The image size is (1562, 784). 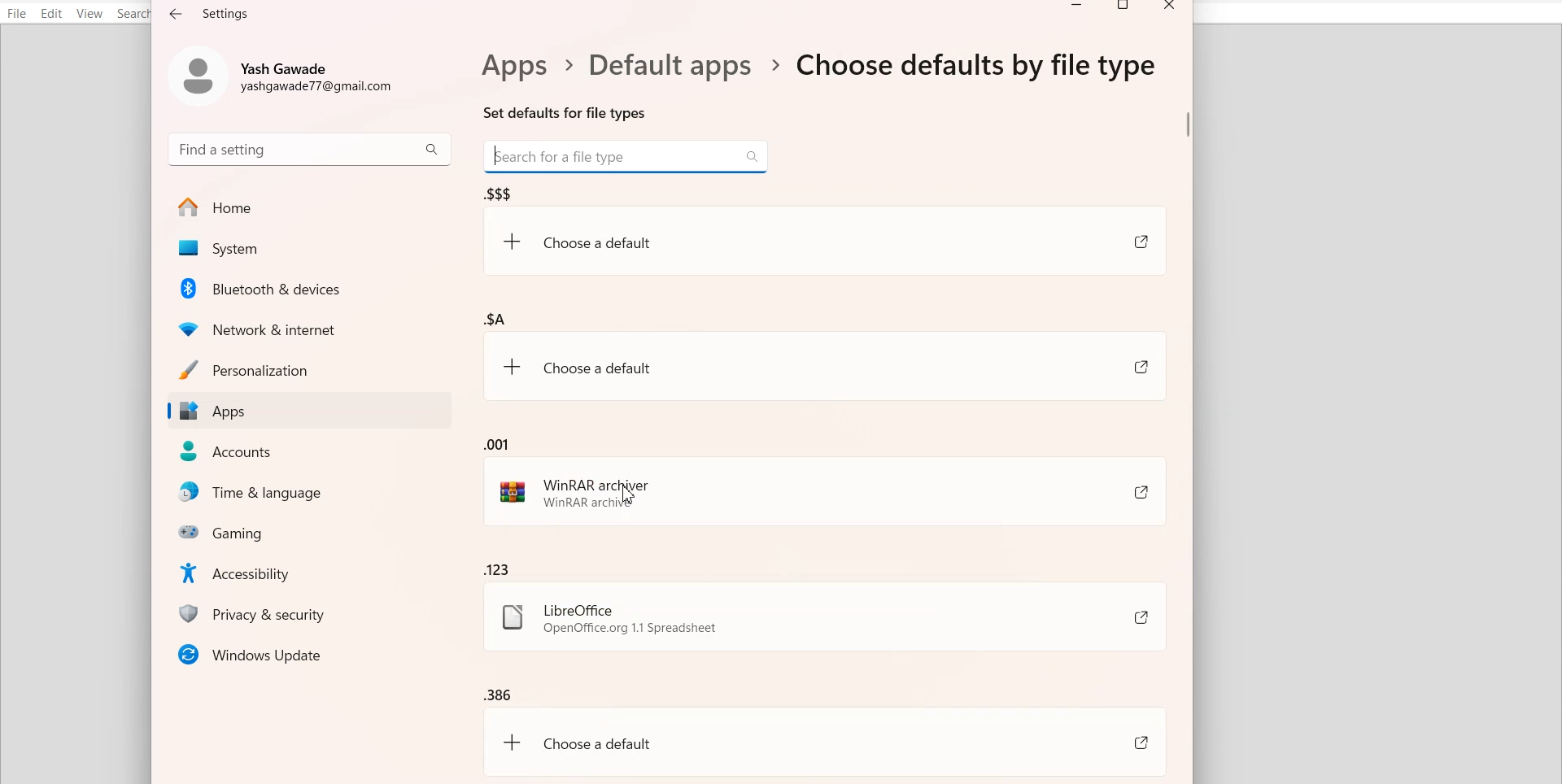 What do you see at coordinates (52, 13) in the screenshot?
I see `Edit` at bounding box center [52, 13].